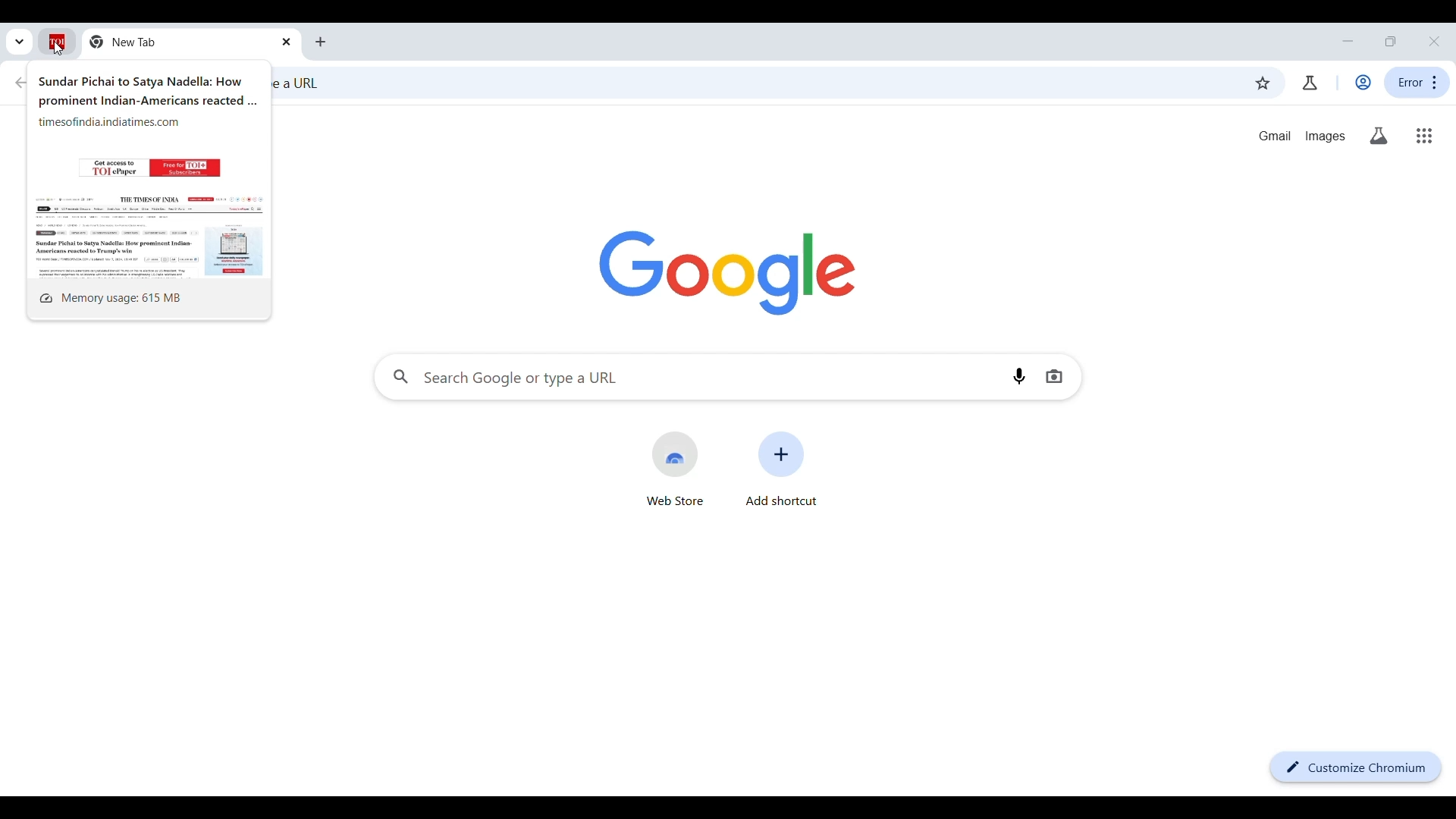 Image resolution: width=1456 pixels, height=819 pixels. What do you see at coordinates (782, 469) in the screenshot?
I see `Add shortcut to other sites` at bounding box center [782, 469].